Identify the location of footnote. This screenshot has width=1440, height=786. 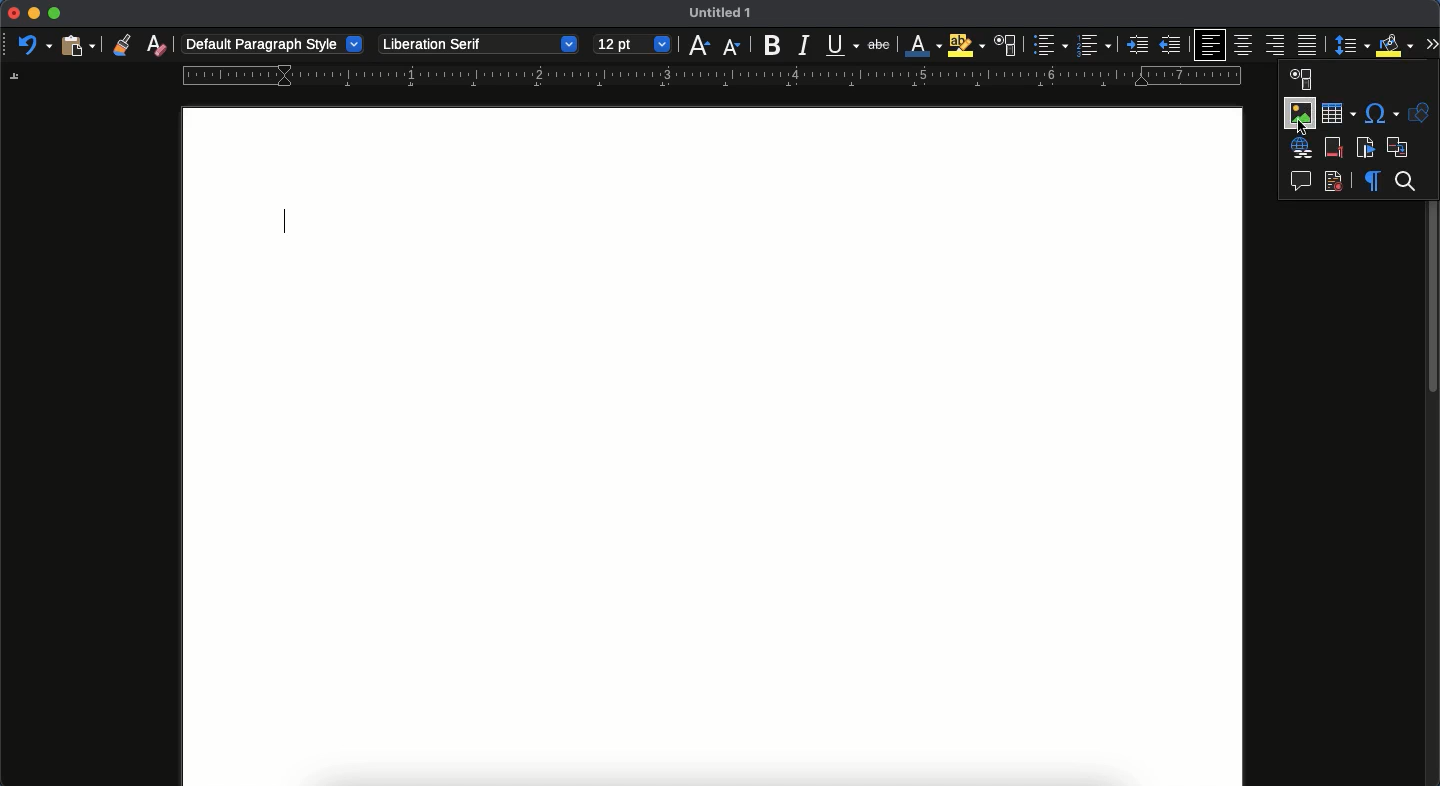
(1335, 147).